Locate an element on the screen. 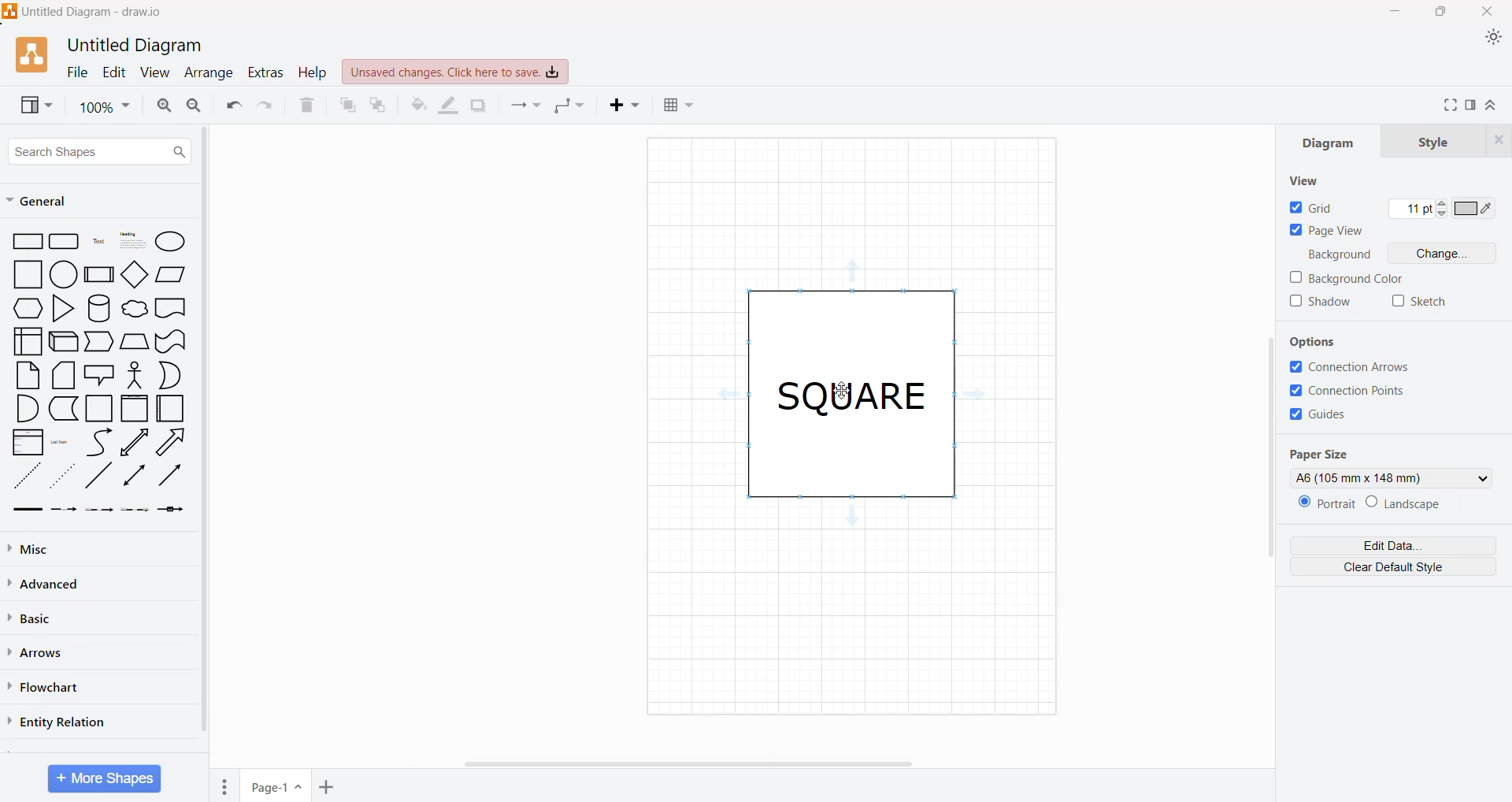 The height and width of the screenshot is (802, 1512). File is located at coordinates (77, 71).